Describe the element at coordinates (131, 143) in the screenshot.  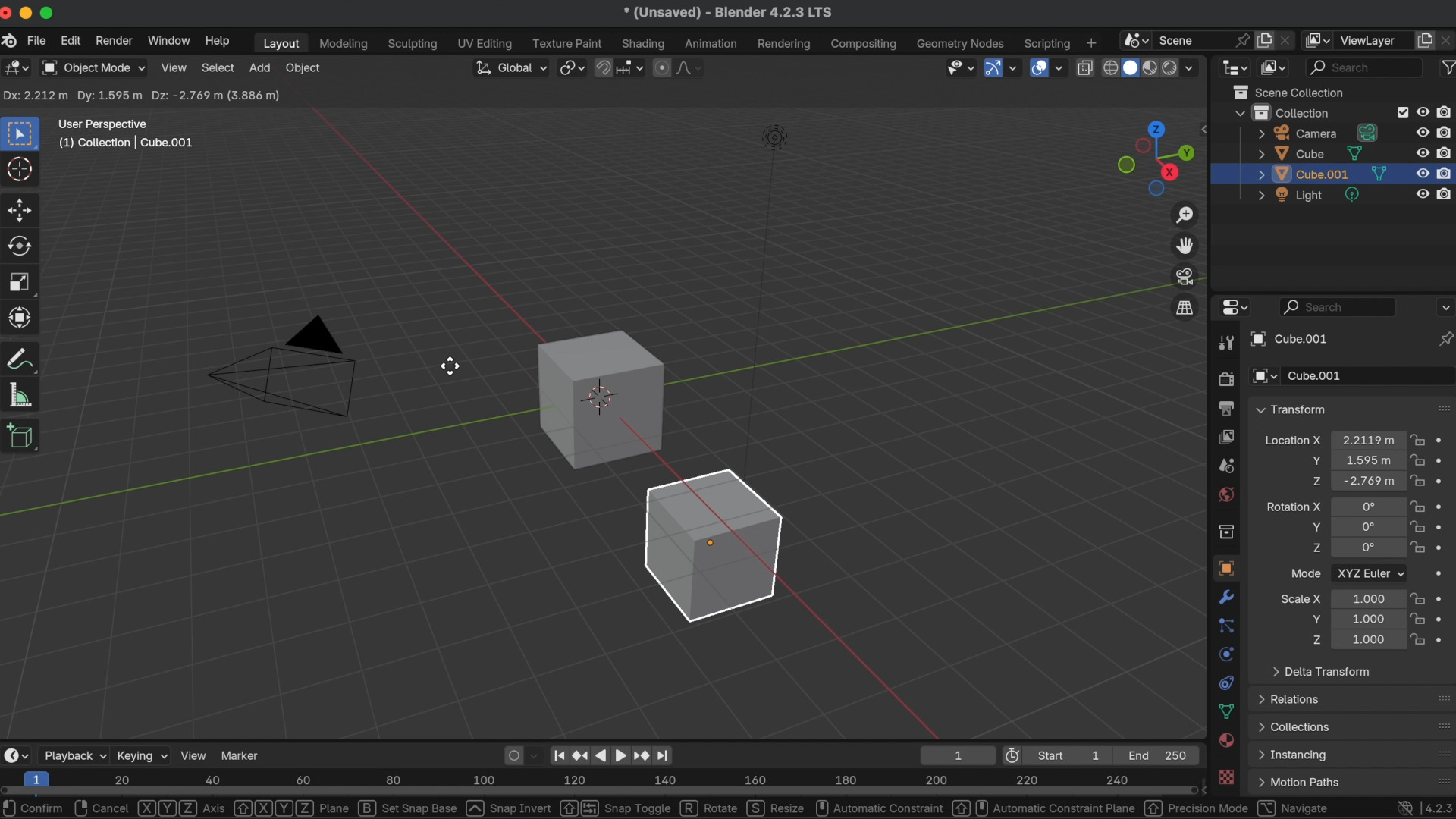
I see `(1) collection | cube.001` at that location.